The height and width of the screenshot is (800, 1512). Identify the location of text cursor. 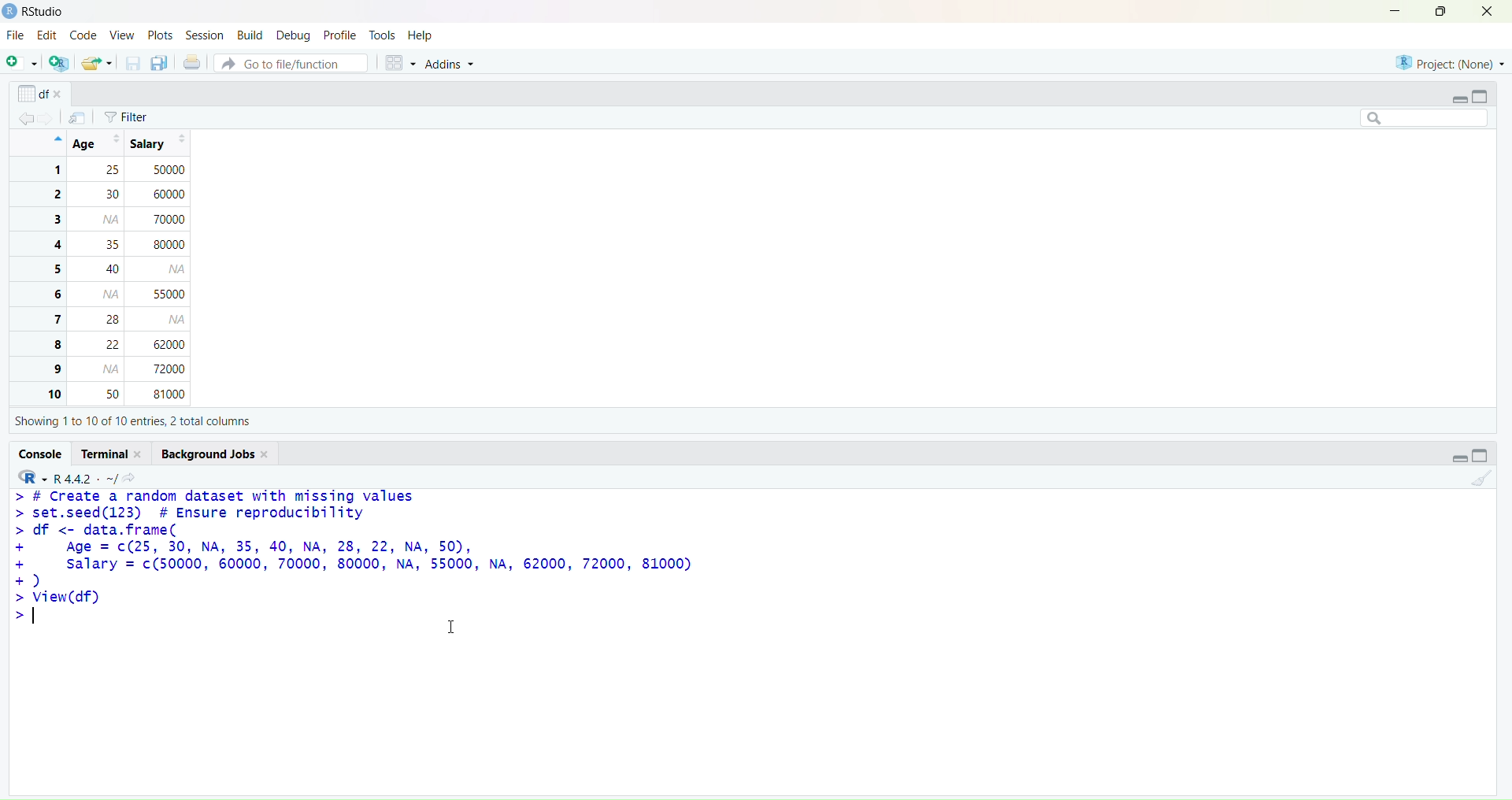
(35, 620).